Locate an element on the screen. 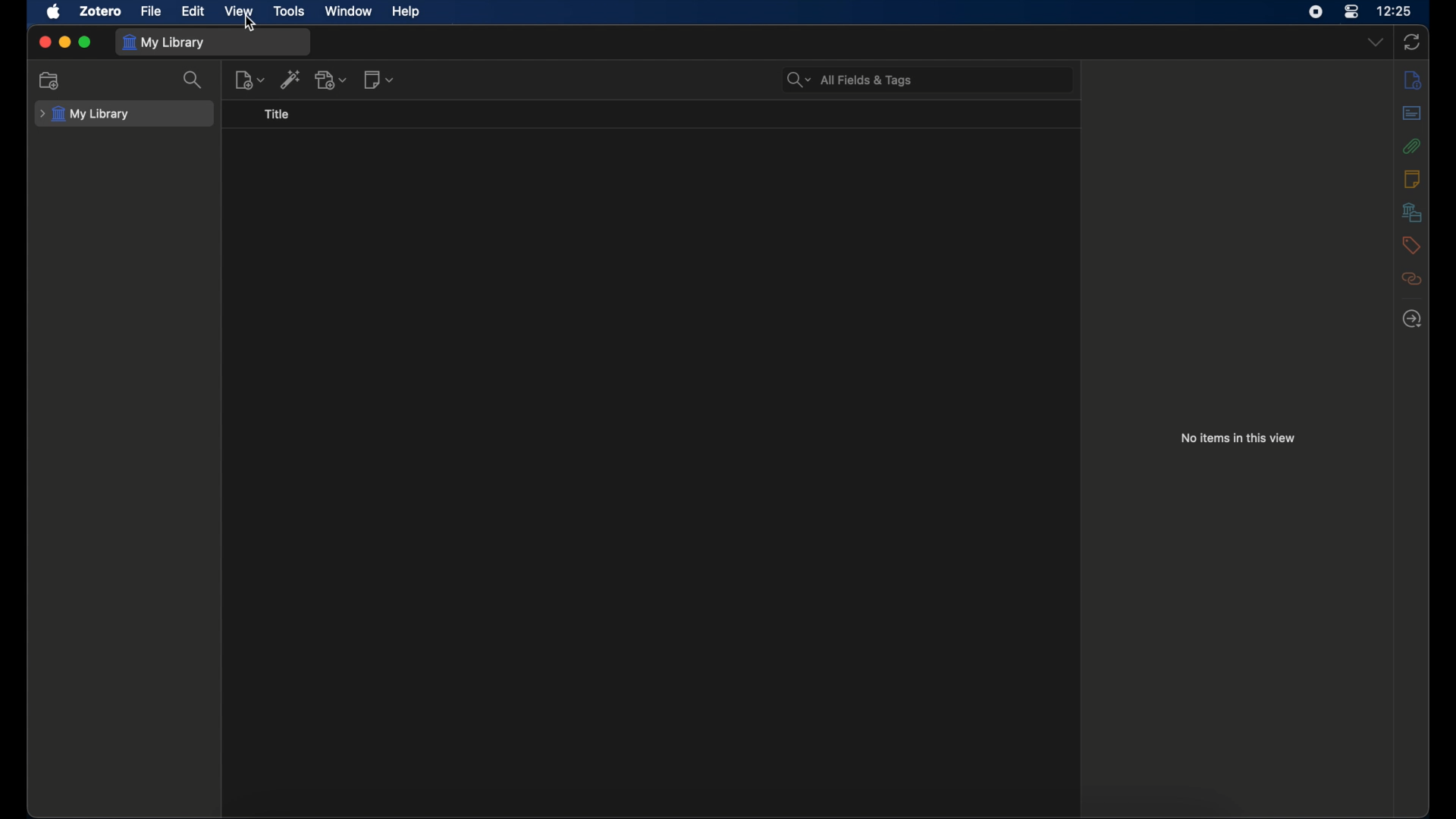 The width and height of the screenshot is (1456, 819). abstract is located at coordinates (1412, 112).